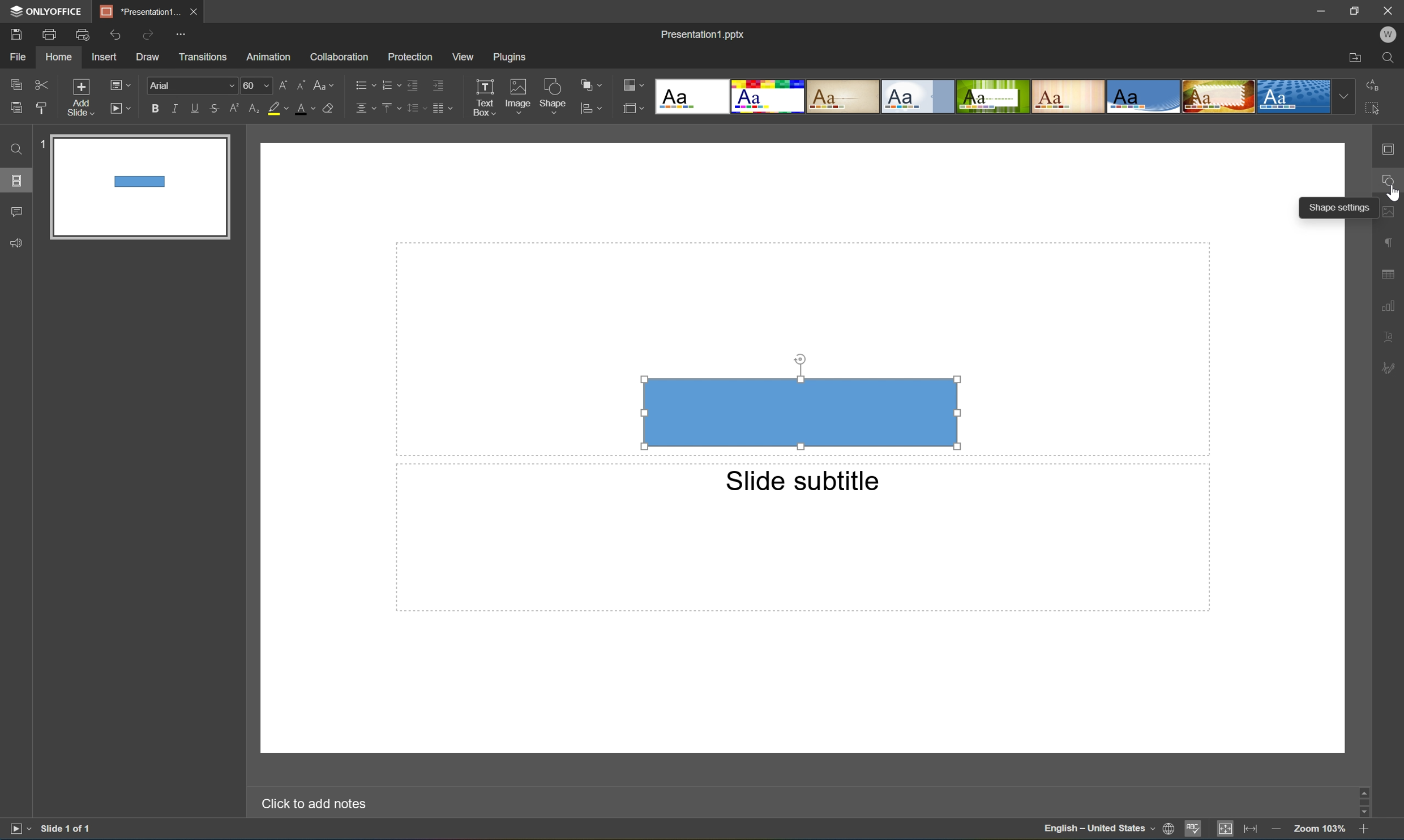  Describe the element at coordinates (307, 110) in the screenshot. I see `Font color` at that location.